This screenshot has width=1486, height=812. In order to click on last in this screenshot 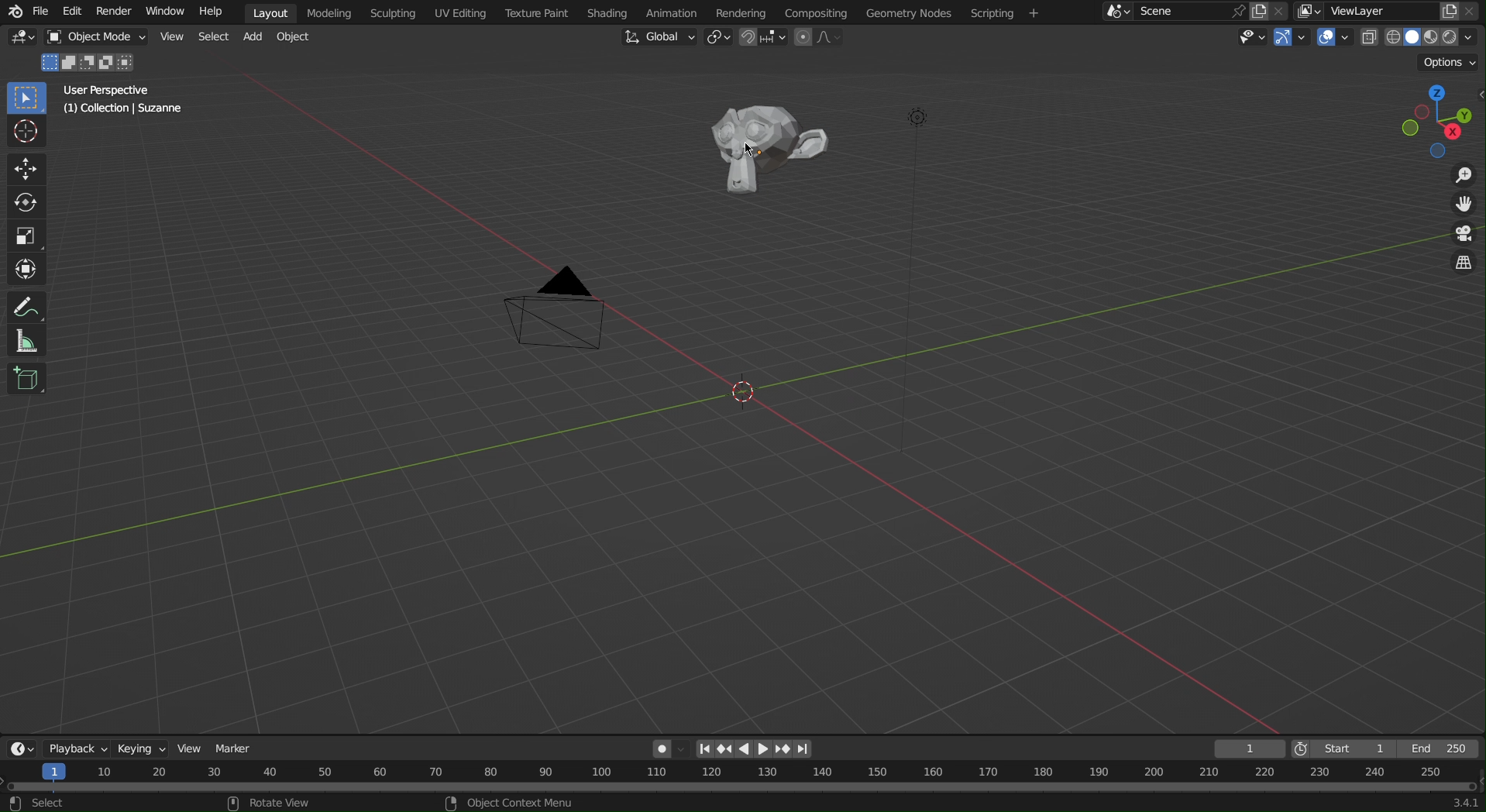, I will do `click(809, 748)`.